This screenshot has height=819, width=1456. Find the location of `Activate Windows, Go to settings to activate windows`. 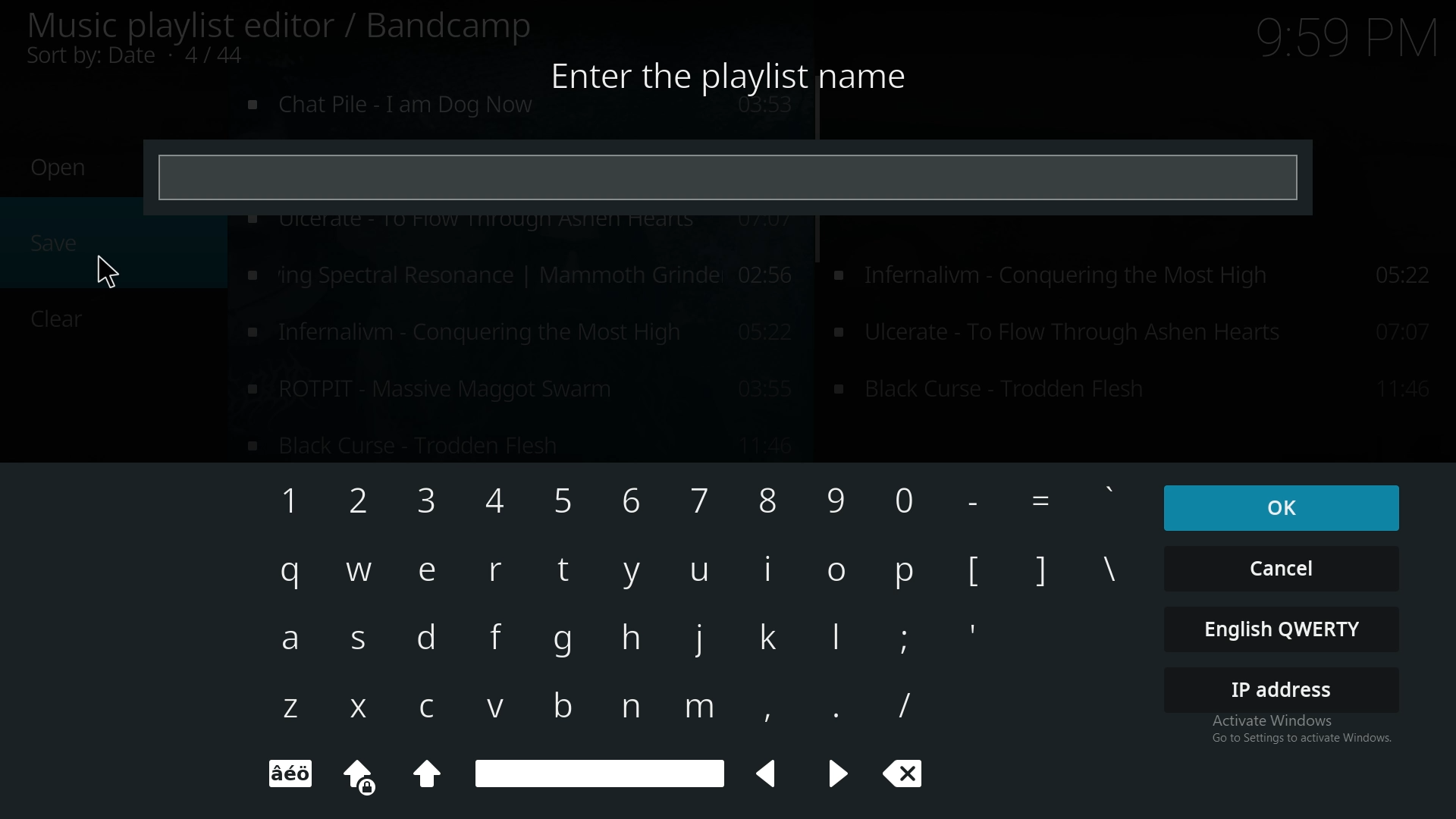

Activate Windows, Go to settings to activate windows is located at coordinates (1292, 732).